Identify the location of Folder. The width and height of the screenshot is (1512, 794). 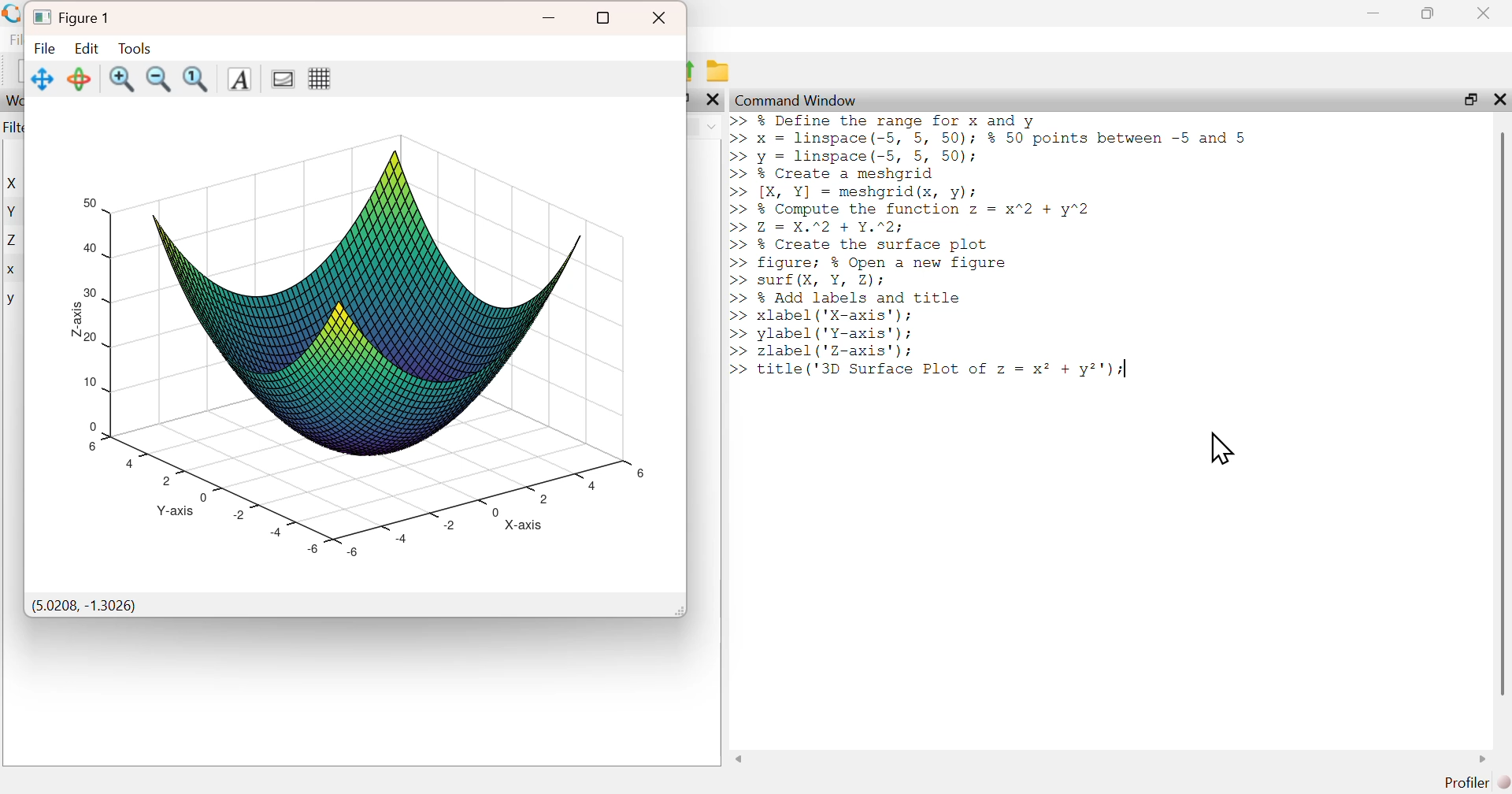
(721, 72).